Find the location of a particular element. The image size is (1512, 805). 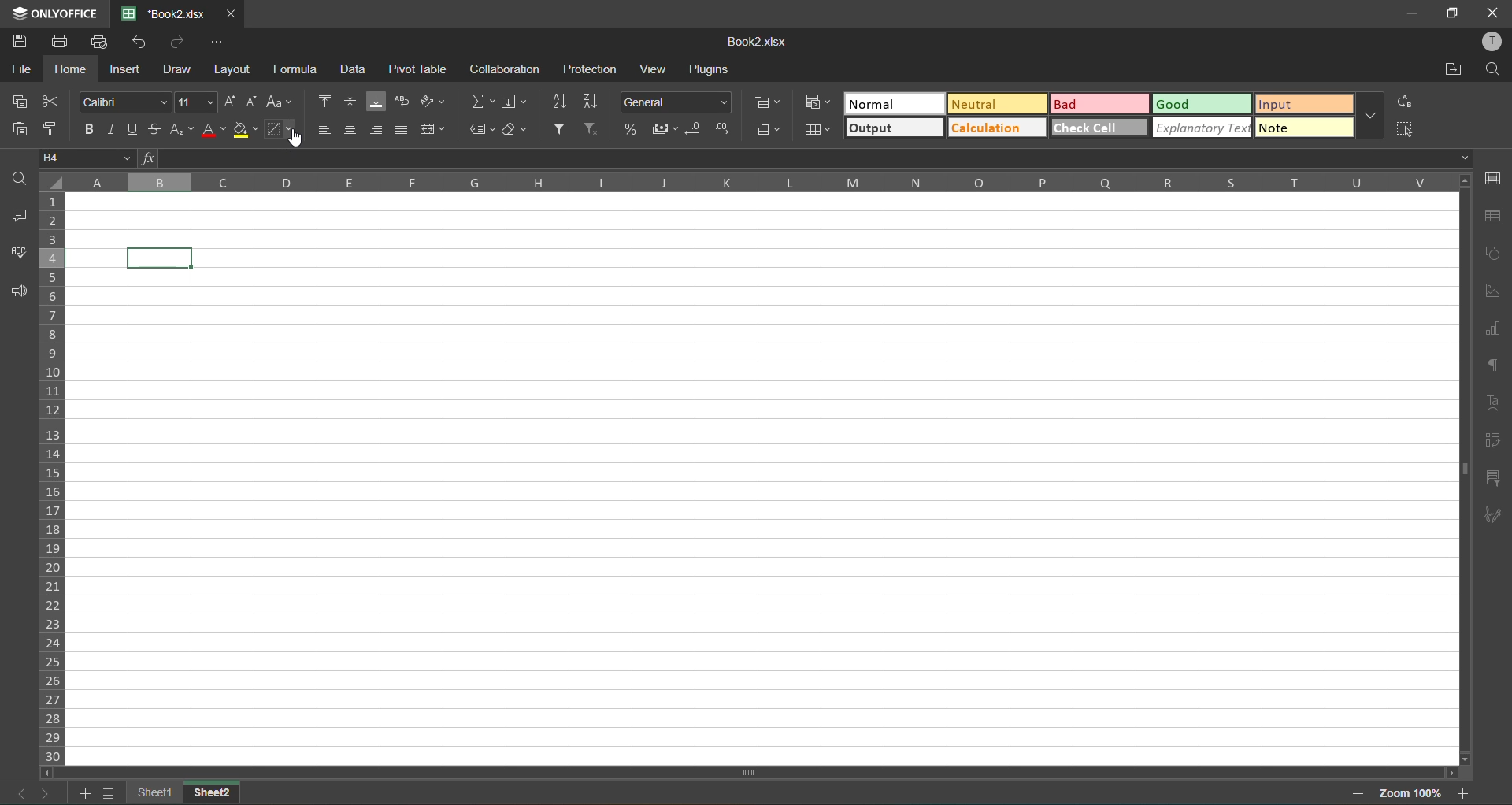

more options is located at coordinates (1376, 116).